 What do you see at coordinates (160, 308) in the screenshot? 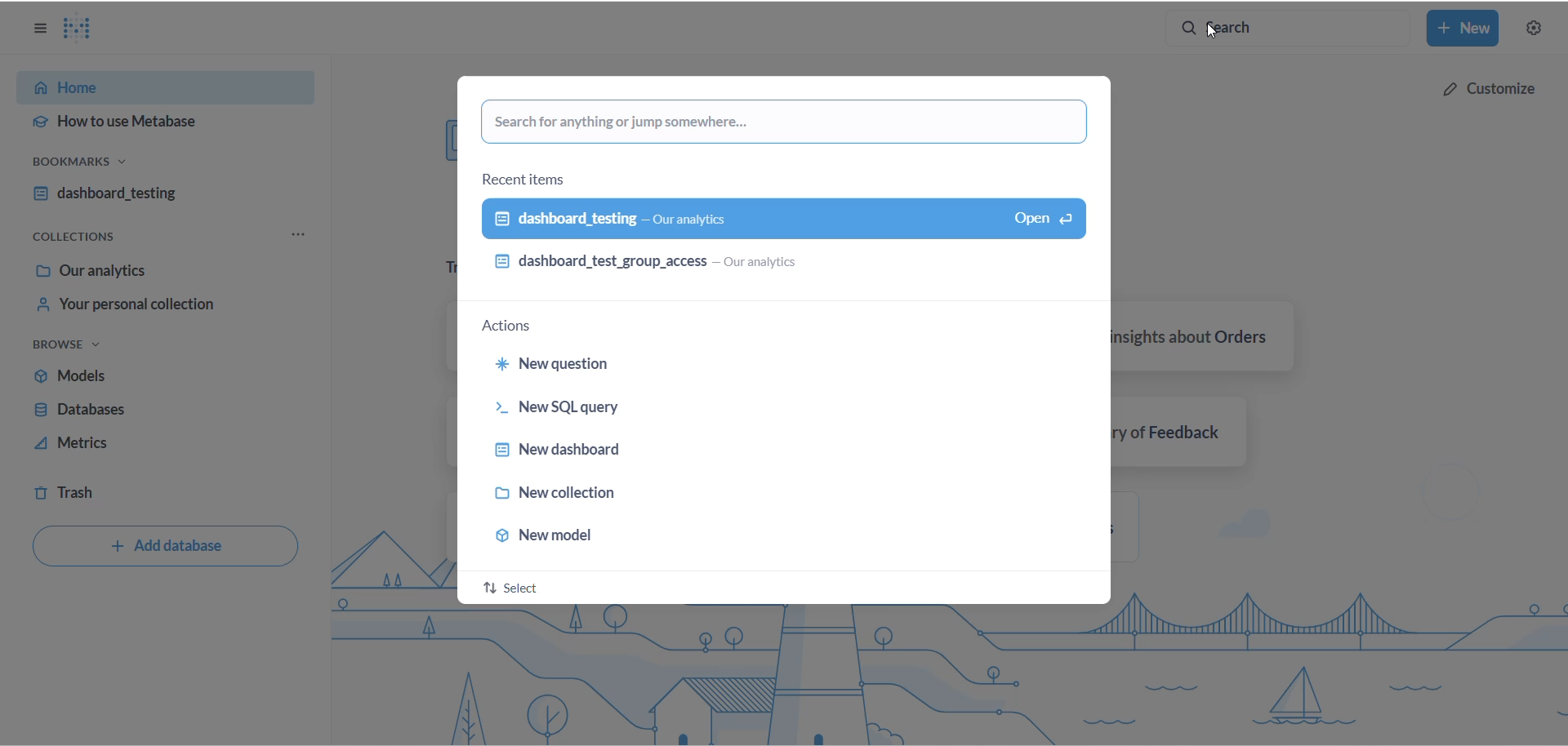
I see `personal collection` at bounding box center [160, 308].